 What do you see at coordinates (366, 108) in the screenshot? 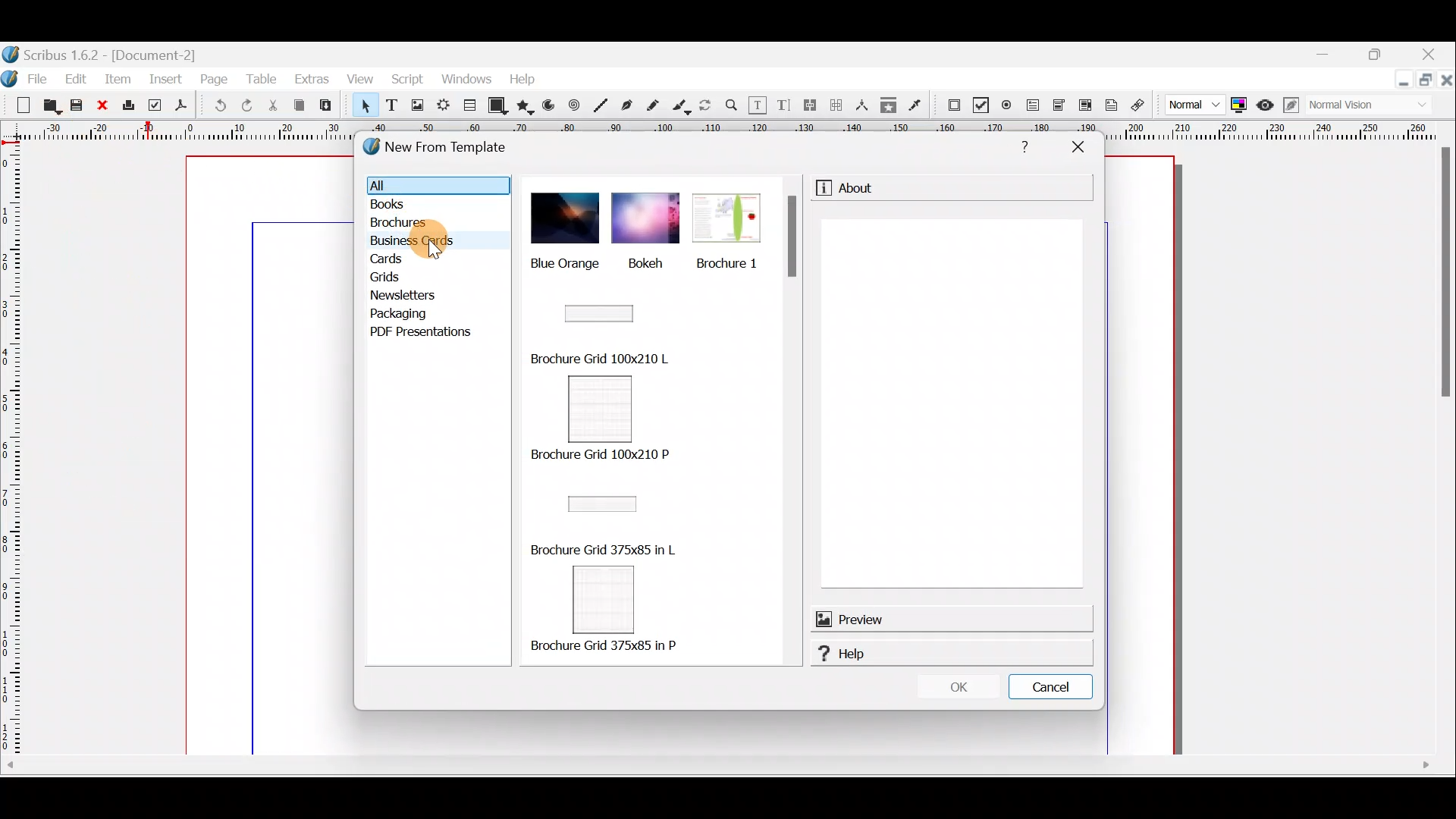
I see `Select item` at bounding box center [366, 108].